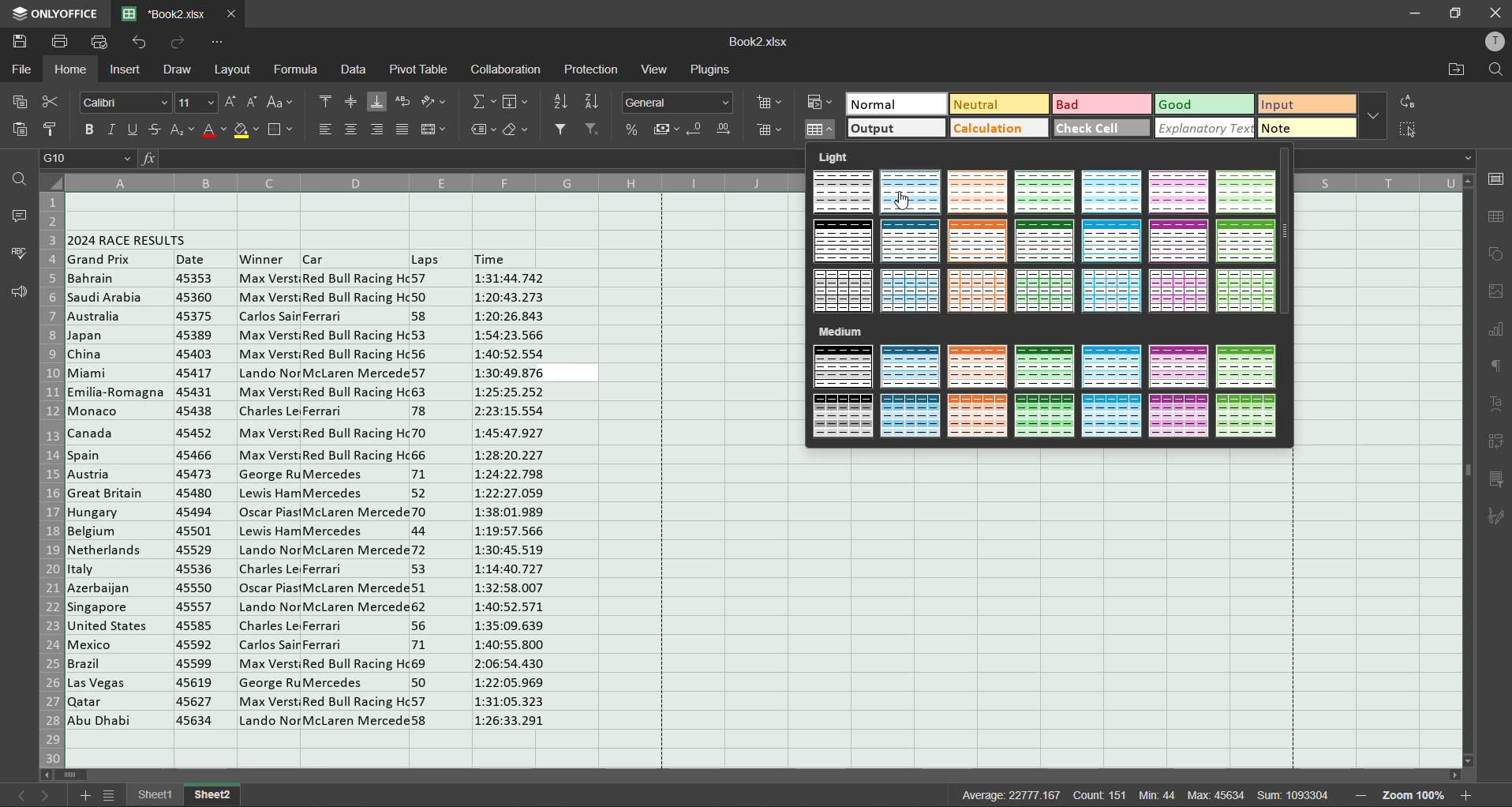  Describe the element at coordinates (908, 417) in the screenshot. I see `table style medium 9` at that location.